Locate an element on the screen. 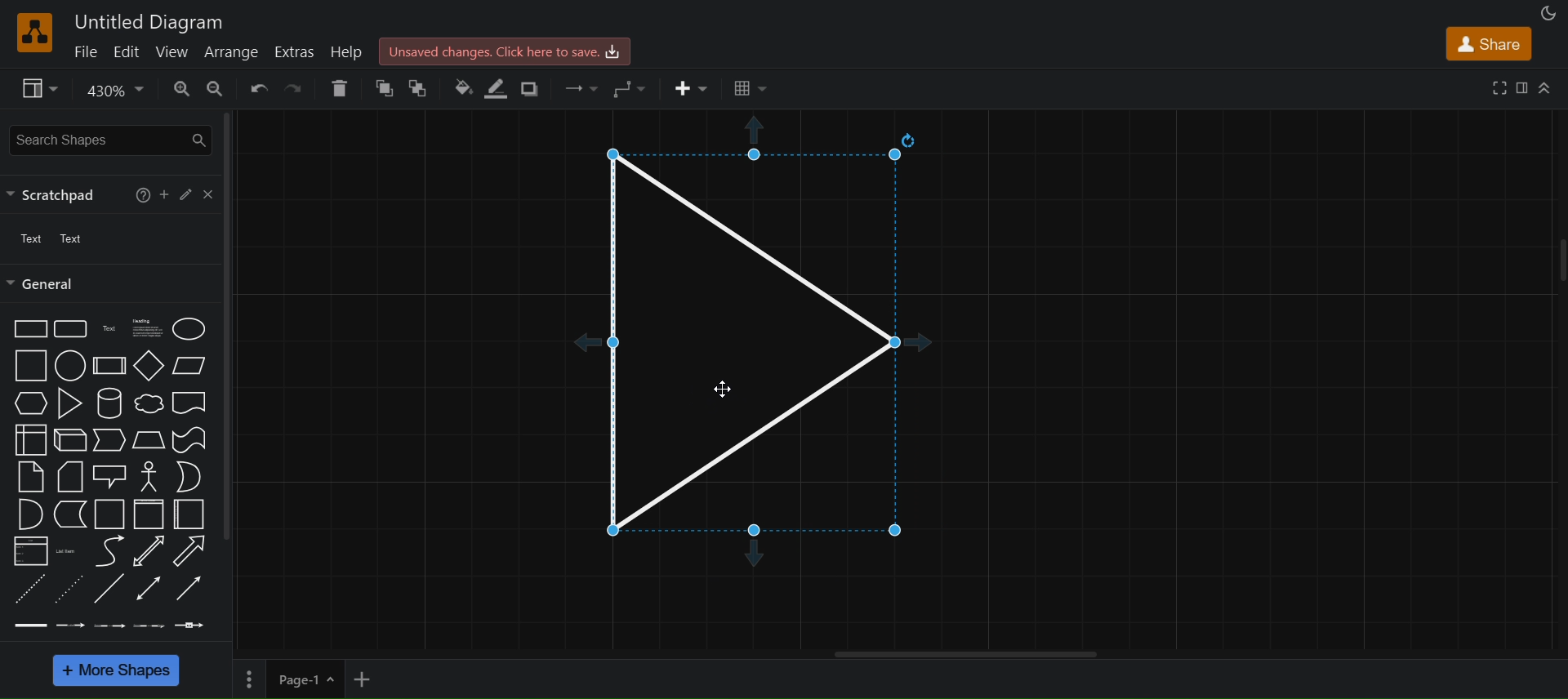 Image resolution: width=1568 pixels, height=699 pixels. zoom out is located at coordinates (216, 88).